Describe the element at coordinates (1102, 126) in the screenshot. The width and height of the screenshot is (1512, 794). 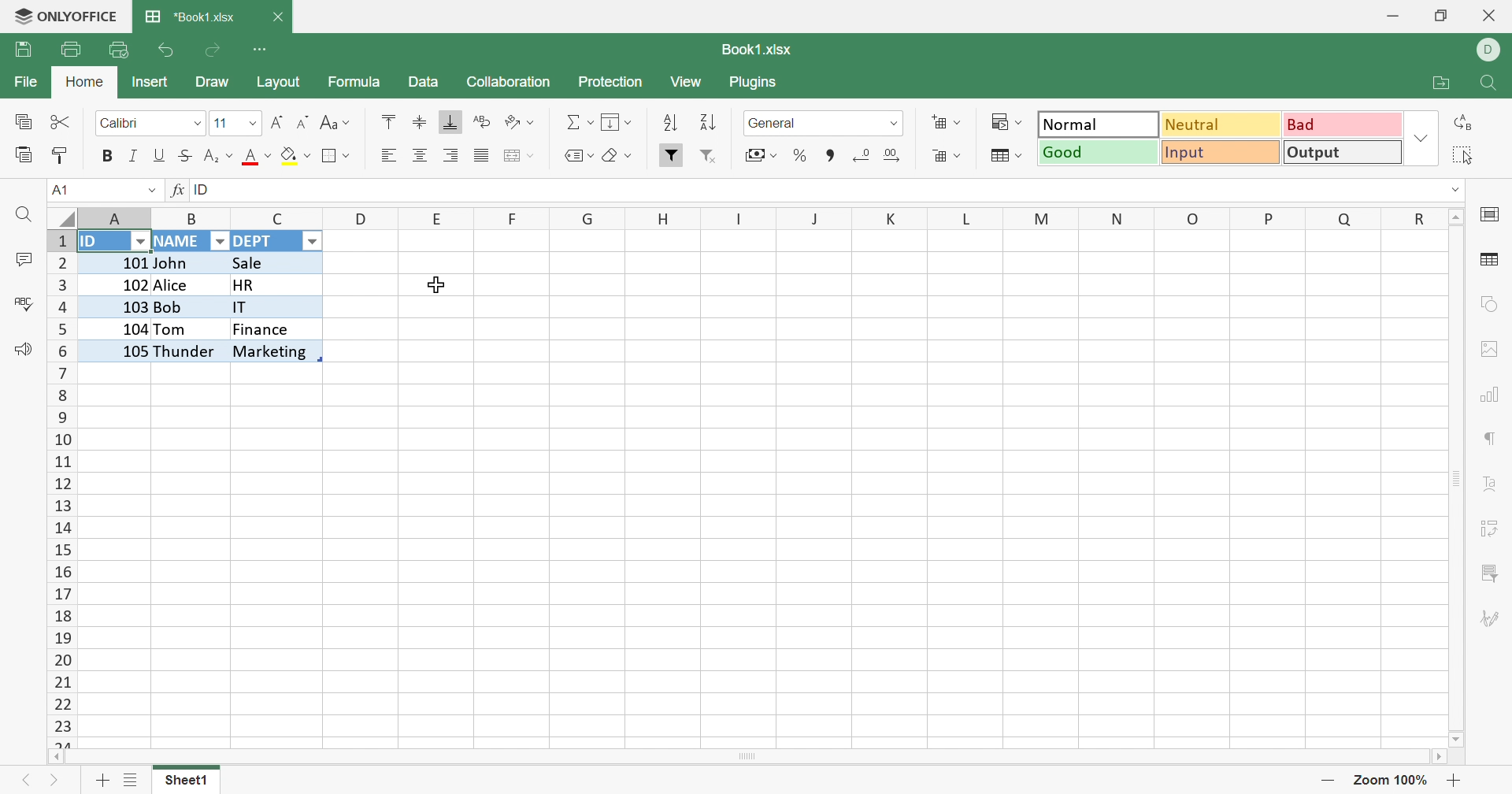
I see `Normal` at that location.